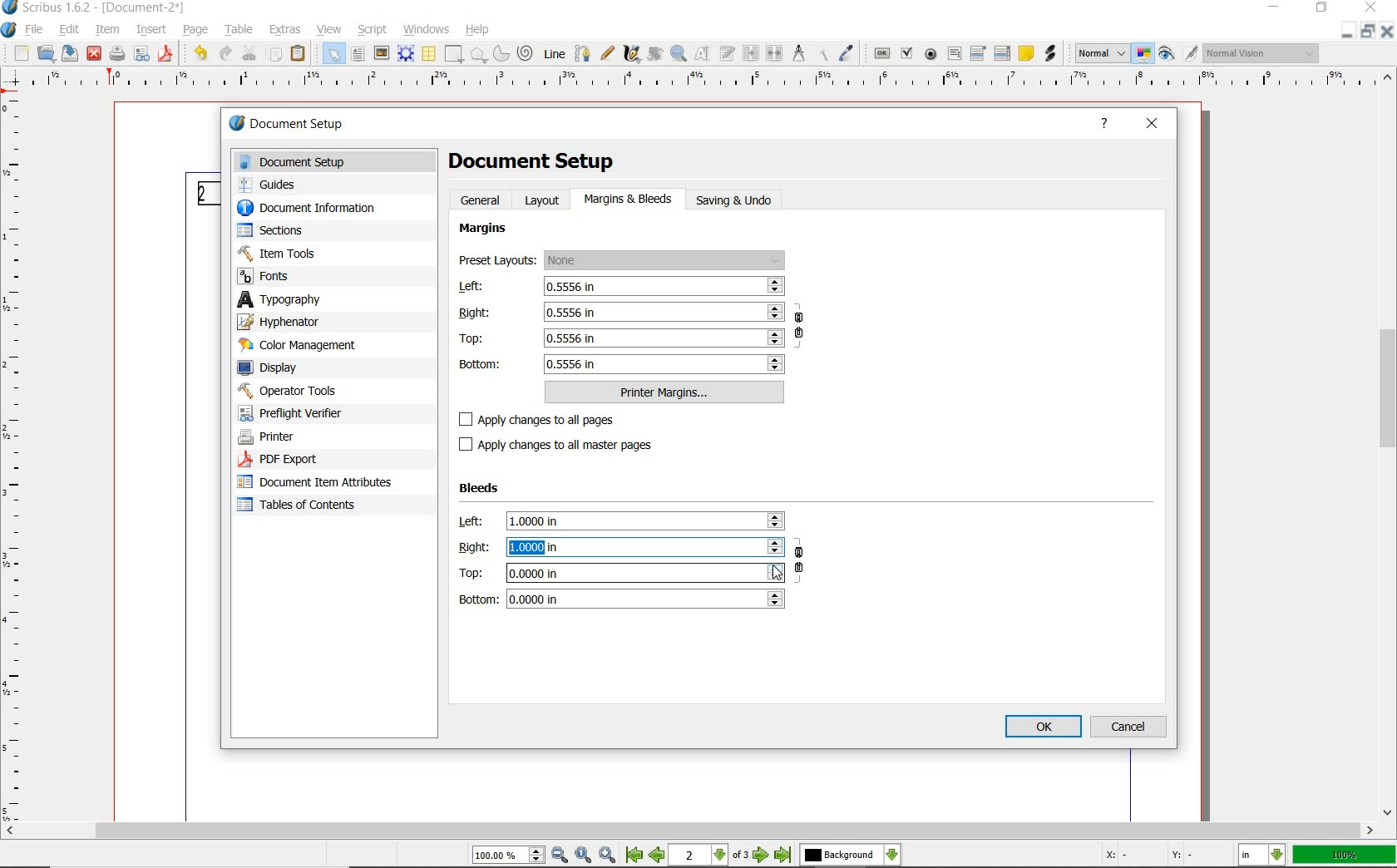 The image size is (1397, 868). What do you see at coordinates (800, 55) in the screenshot?
I see `measurements` at bounding box center [800, 55].